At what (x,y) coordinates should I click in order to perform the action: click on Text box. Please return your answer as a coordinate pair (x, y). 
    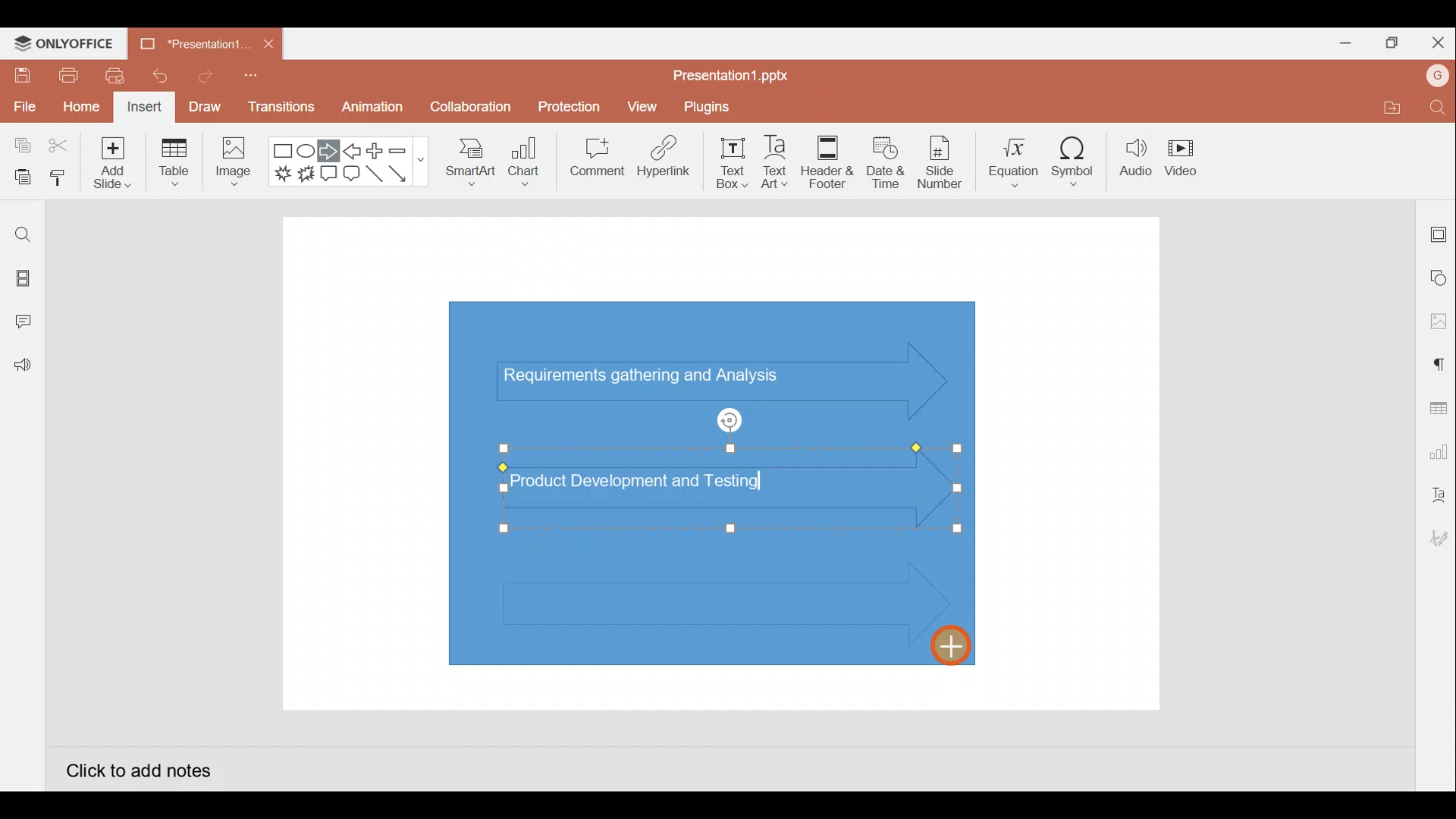
    Looking at the image, I should click on (733, 163).